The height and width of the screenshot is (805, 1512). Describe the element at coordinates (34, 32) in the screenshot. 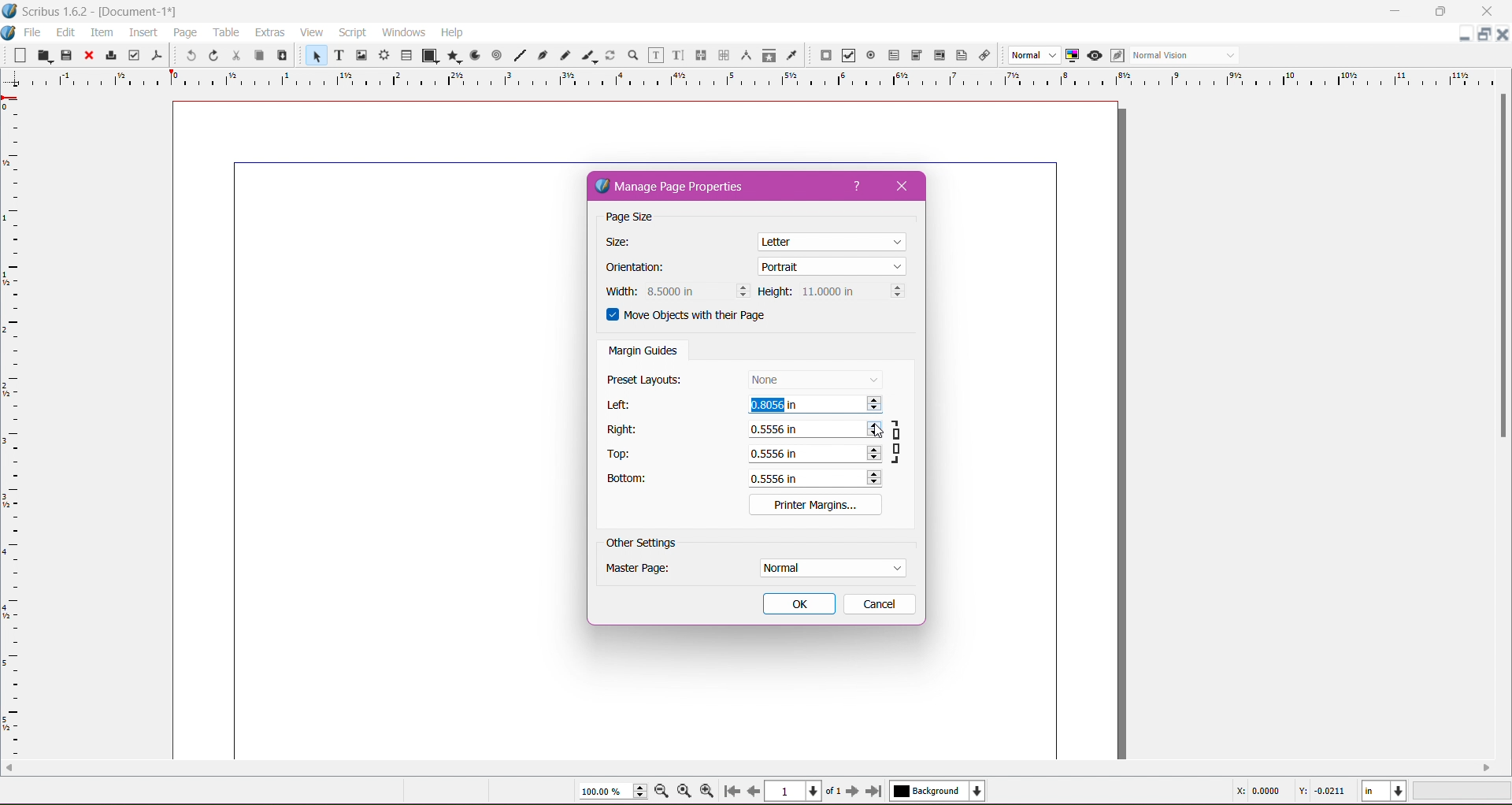

I see `File` at that location.